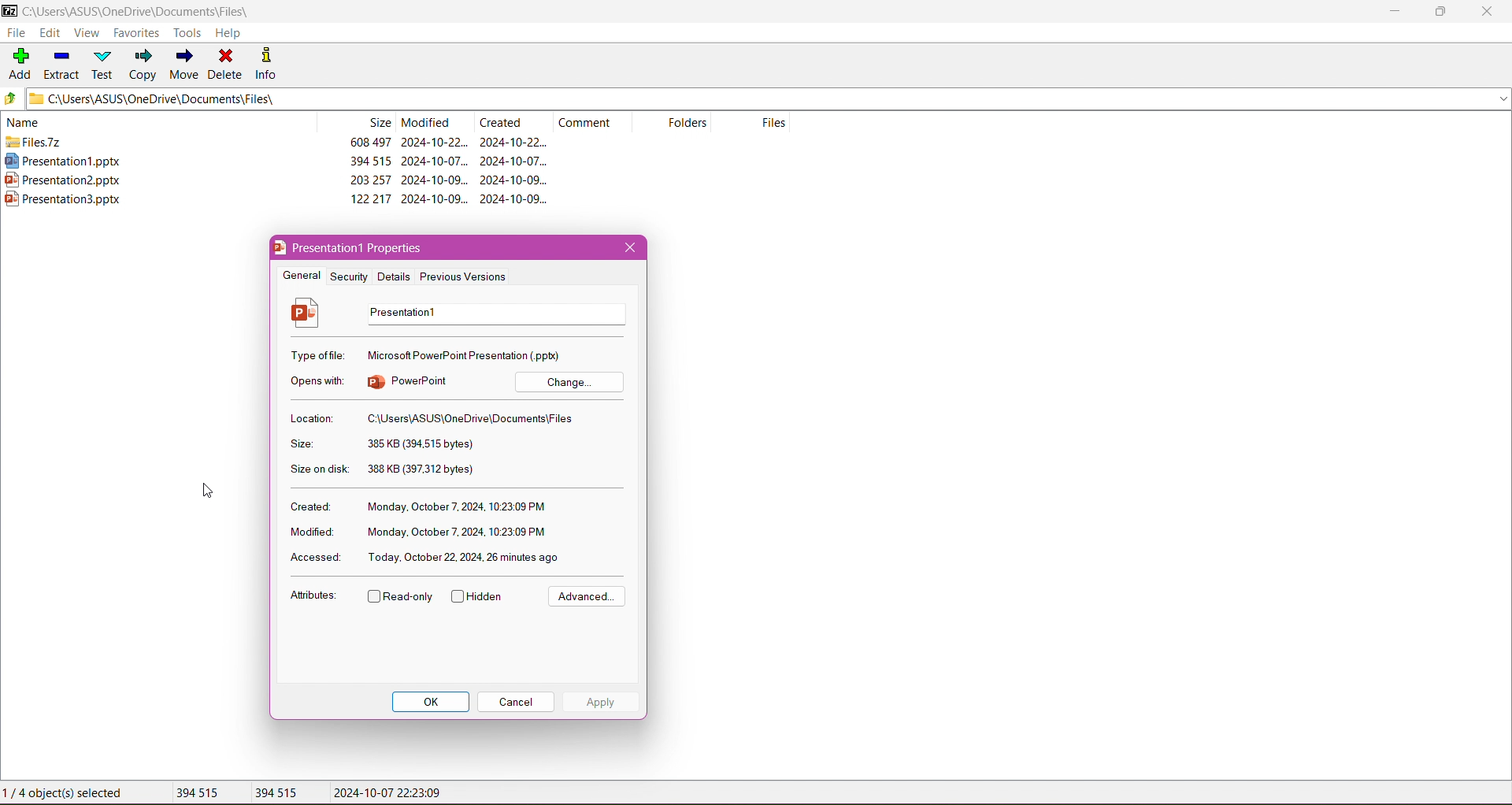 The width and height of the screenshot is (1512, 805). I want to click on presentation 1 properties, so click(432, 249).